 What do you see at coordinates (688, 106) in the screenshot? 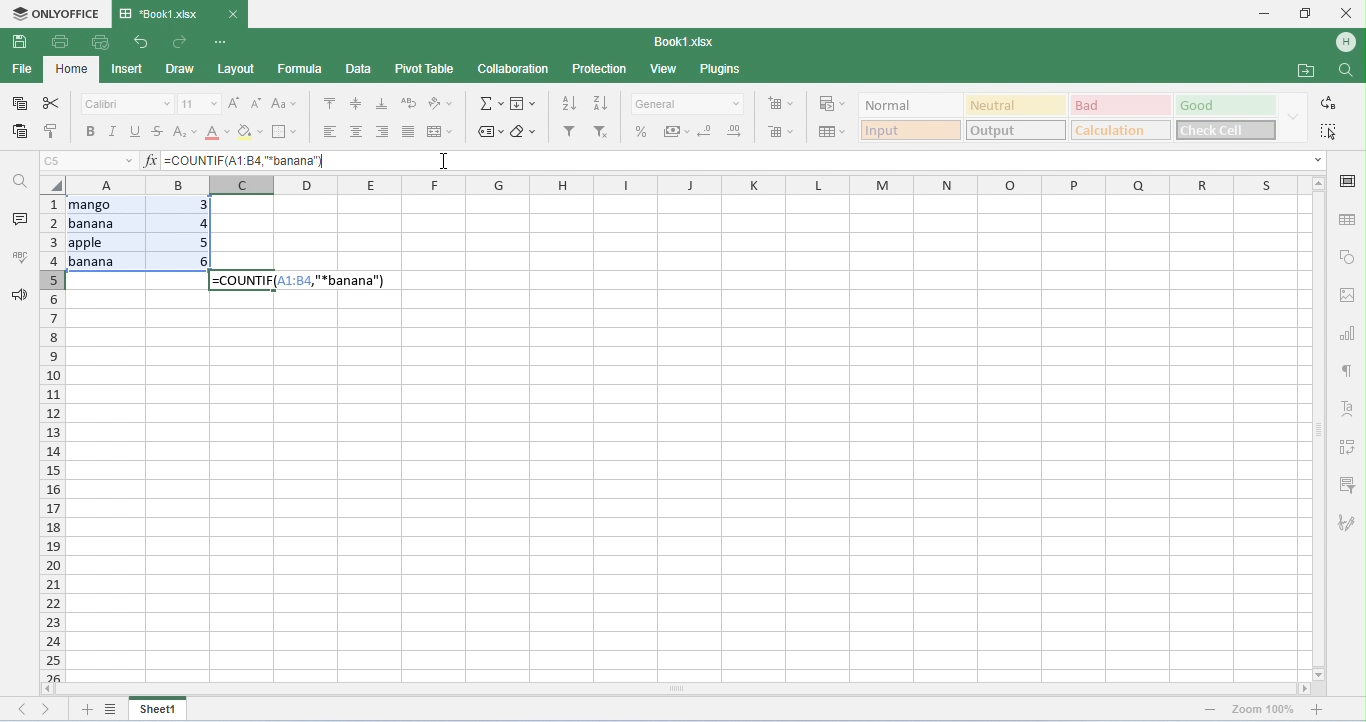
I see `number format` at bounding box center [688, 106].